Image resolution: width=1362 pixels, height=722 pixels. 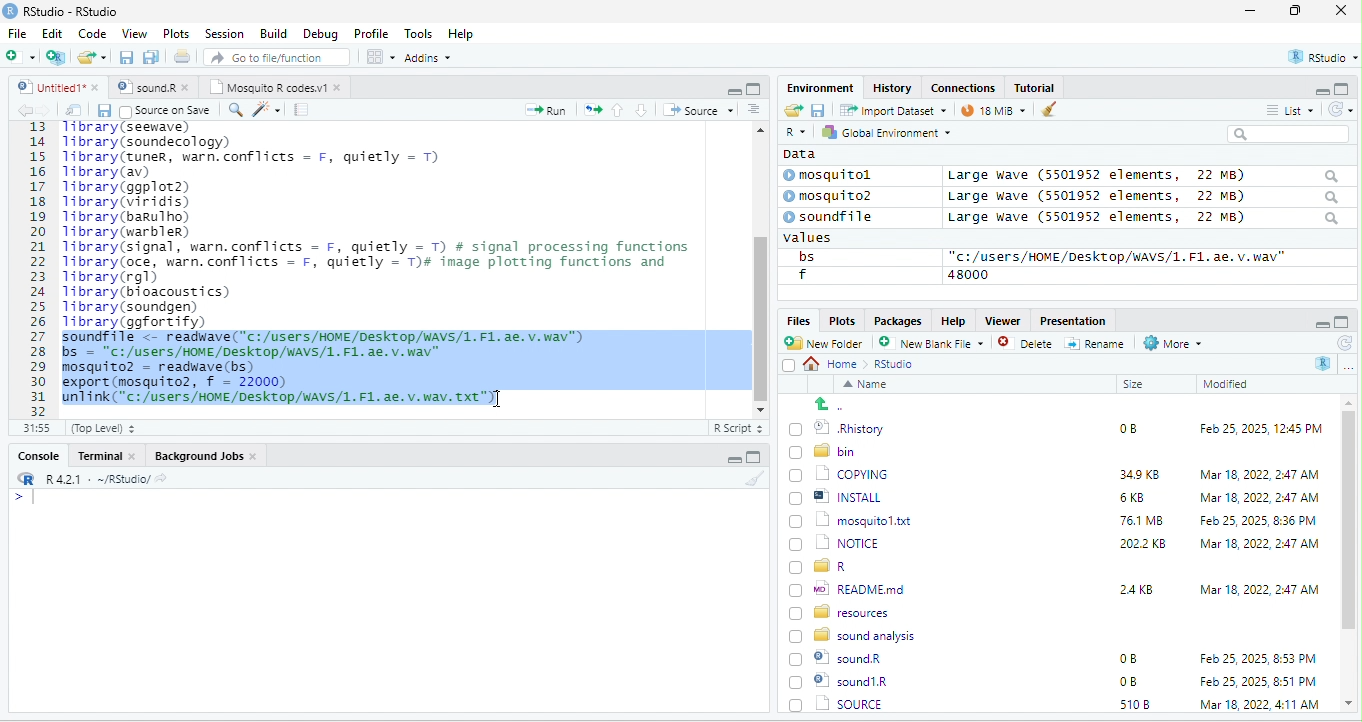 I want to click on ‘Mosquito R codes.vi, so click(x=150, y=87).